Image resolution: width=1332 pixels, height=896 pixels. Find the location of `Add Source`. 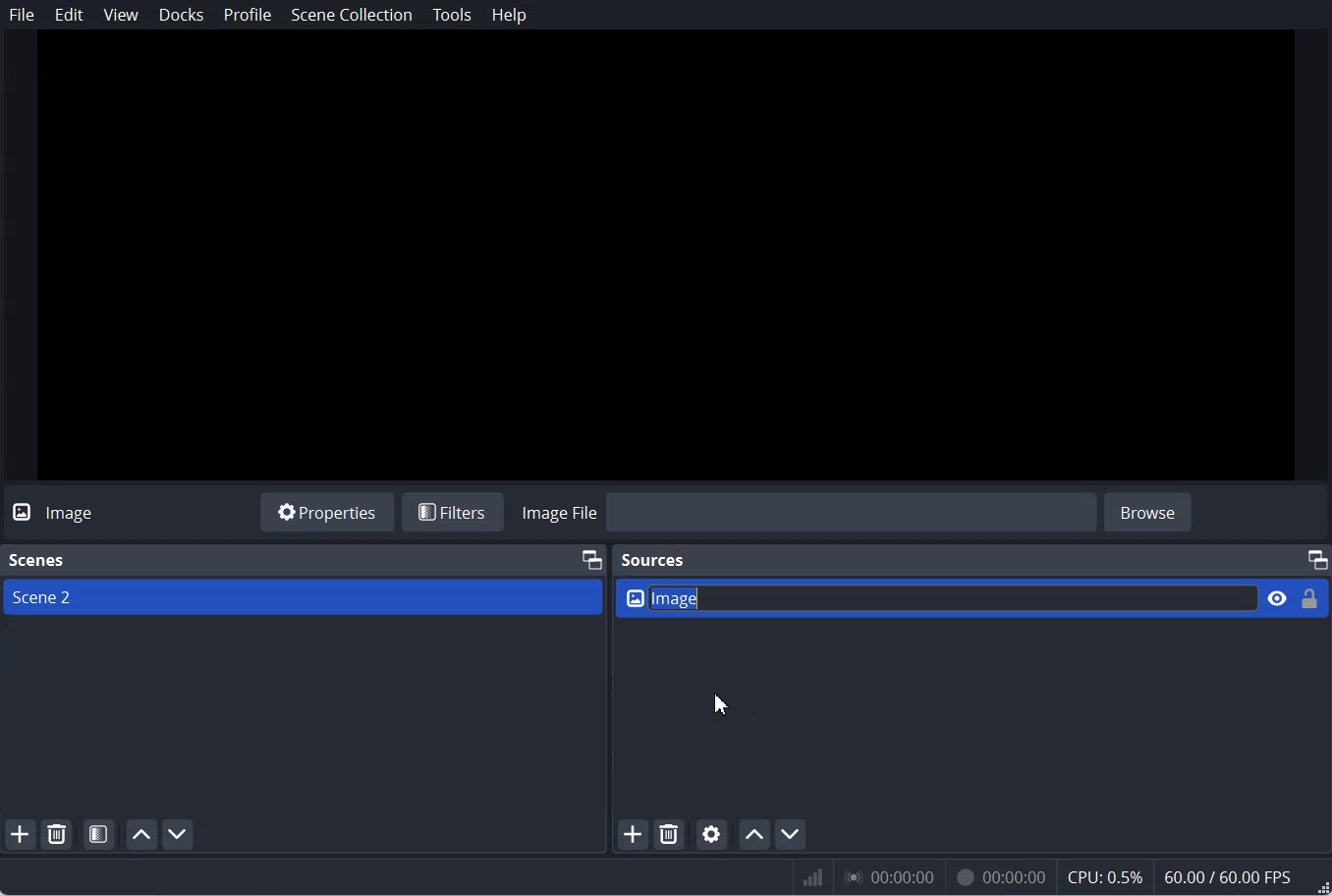

Add Source is located at coordinates (634, 833).